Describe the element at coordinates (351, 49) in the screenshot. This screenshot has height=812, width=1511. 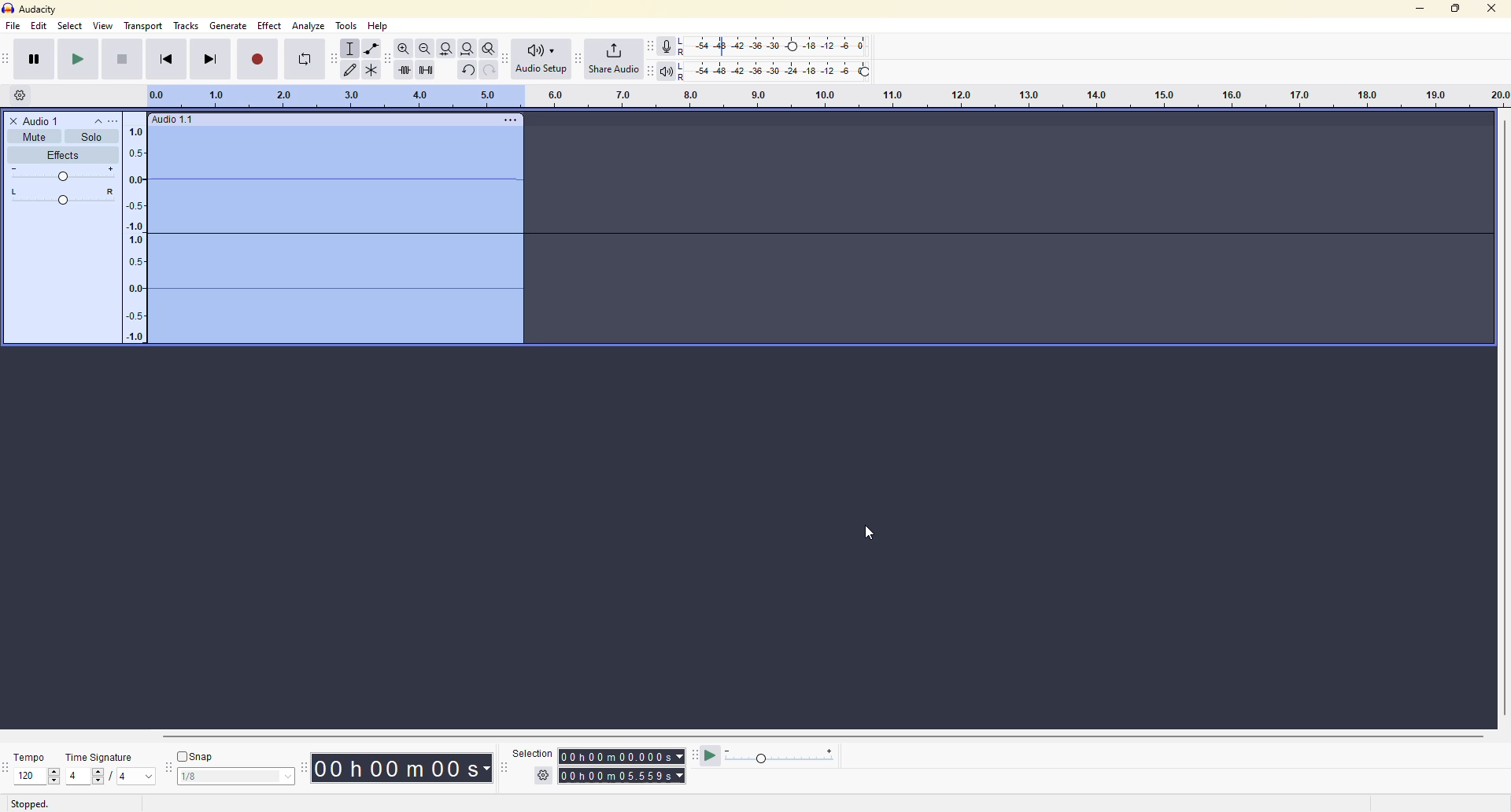
I see `selection tool` at that location.